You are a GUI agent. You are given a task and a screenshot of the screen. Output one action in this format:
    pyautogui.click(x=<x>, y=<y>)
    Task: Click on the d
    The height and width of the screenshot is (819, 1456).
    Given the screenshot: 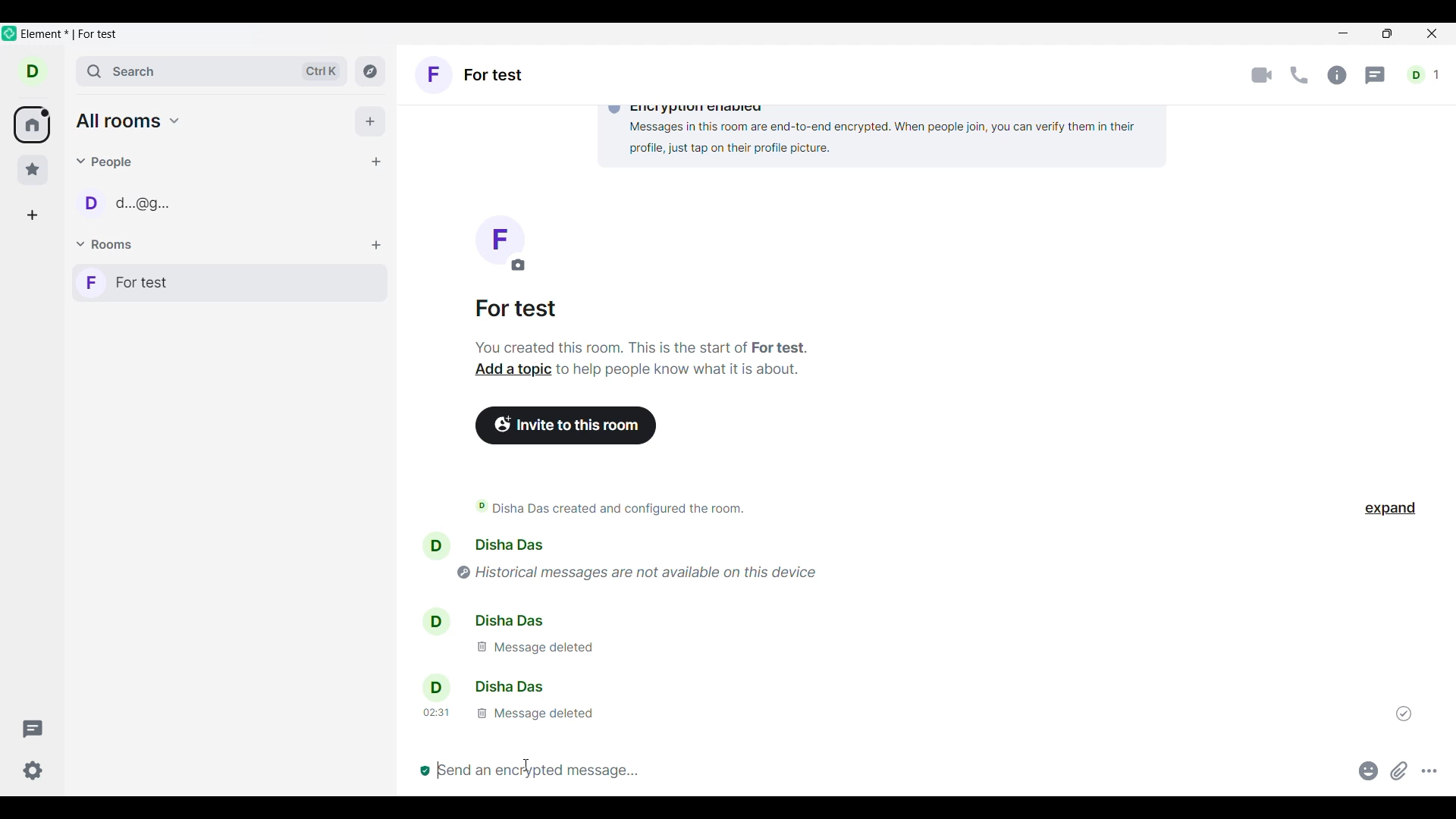 What is the action you would take?
    pyautogui.click(x=33, y=71)
    